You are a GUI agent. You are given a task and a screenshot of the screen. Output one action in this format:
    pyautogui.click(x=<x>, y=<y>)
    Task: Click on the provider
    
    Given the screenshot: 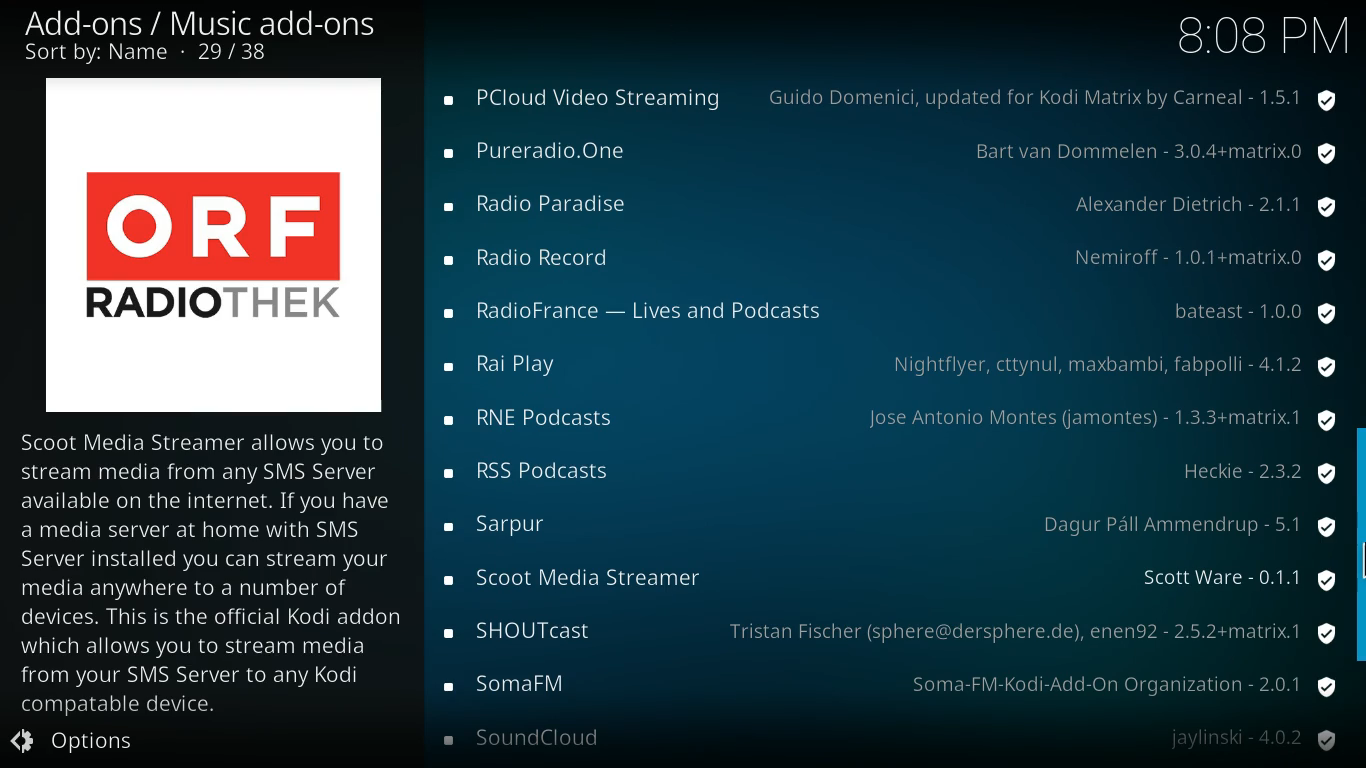 What is the action you would take?
    pyautogui.click(x=1254, y=737)
    